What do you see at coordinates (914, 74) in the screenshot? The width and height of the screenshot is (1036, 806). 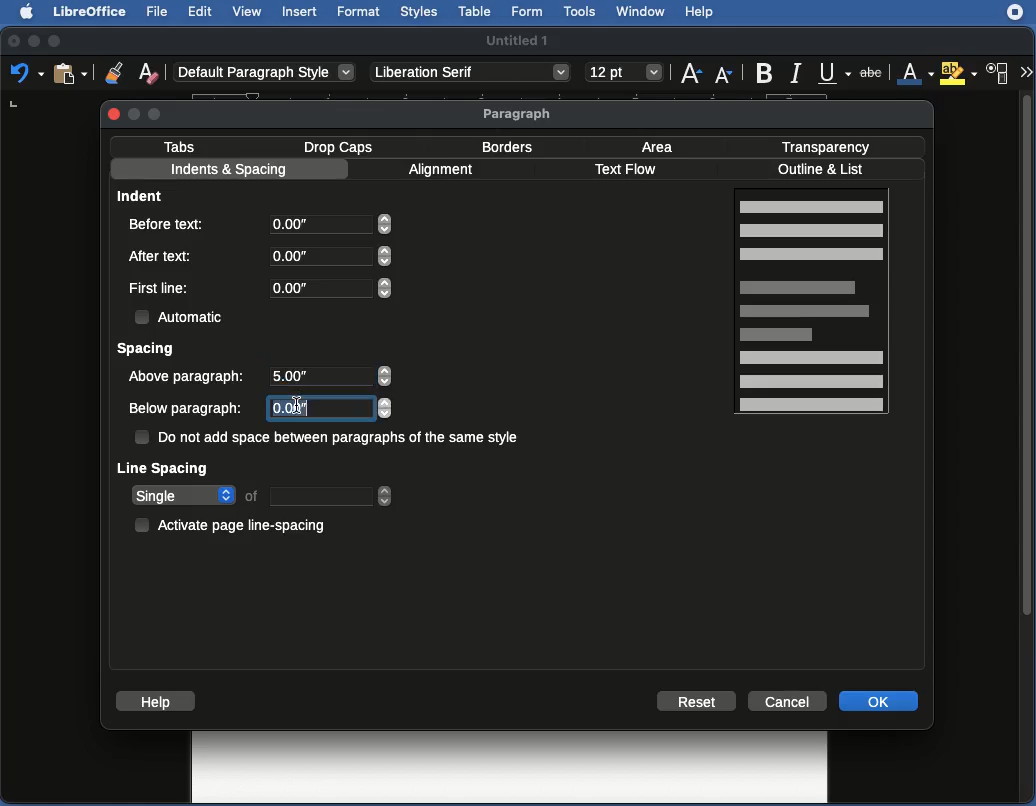 I see `Font color` at bounding box center [914, 74].